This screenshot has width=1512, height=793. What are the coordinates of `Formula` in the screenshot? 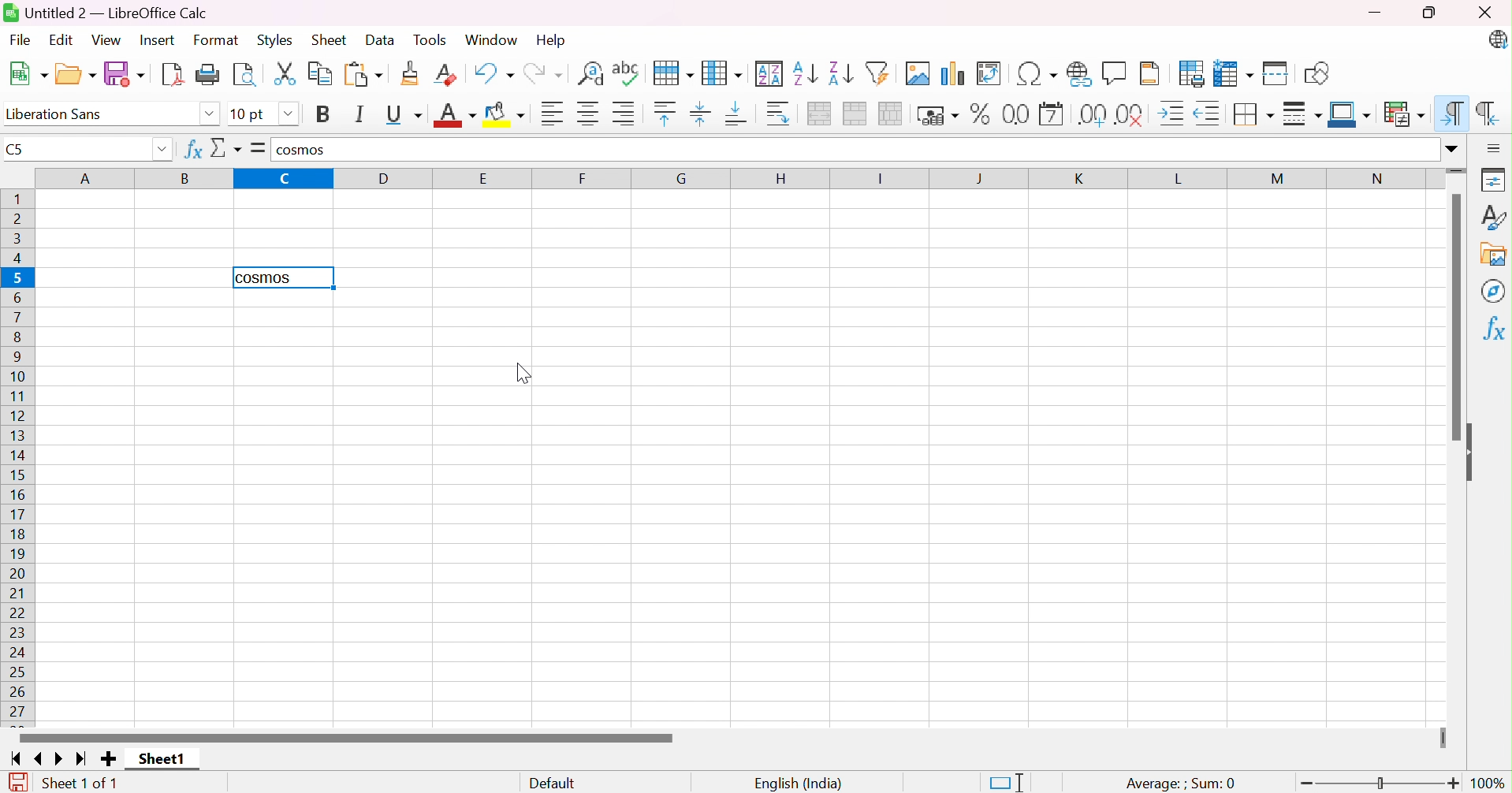 It's located at (259, 147).